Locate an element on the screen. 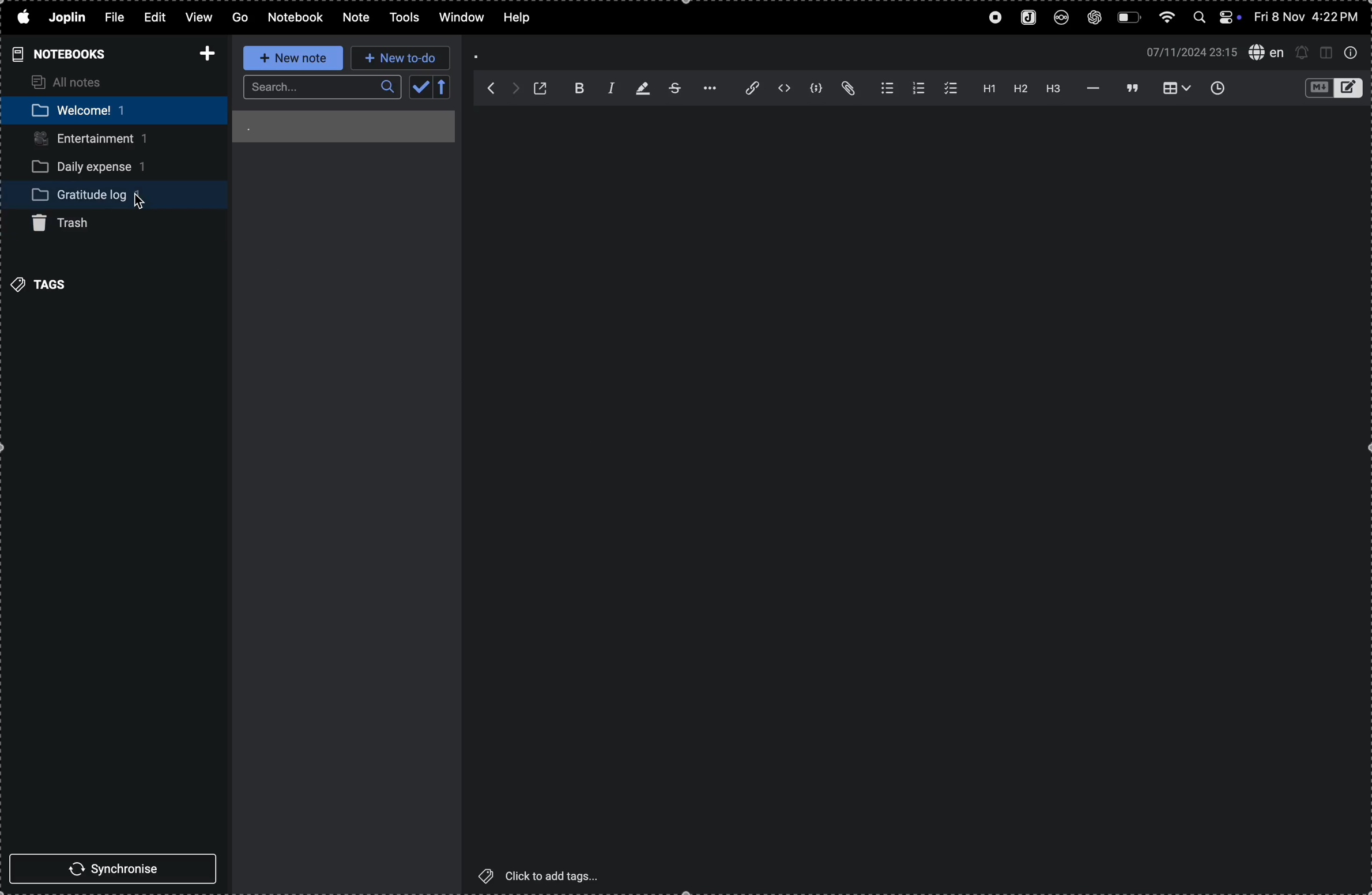 The image size is (1372, 895). searcbar is located at coordinates (323, 87).